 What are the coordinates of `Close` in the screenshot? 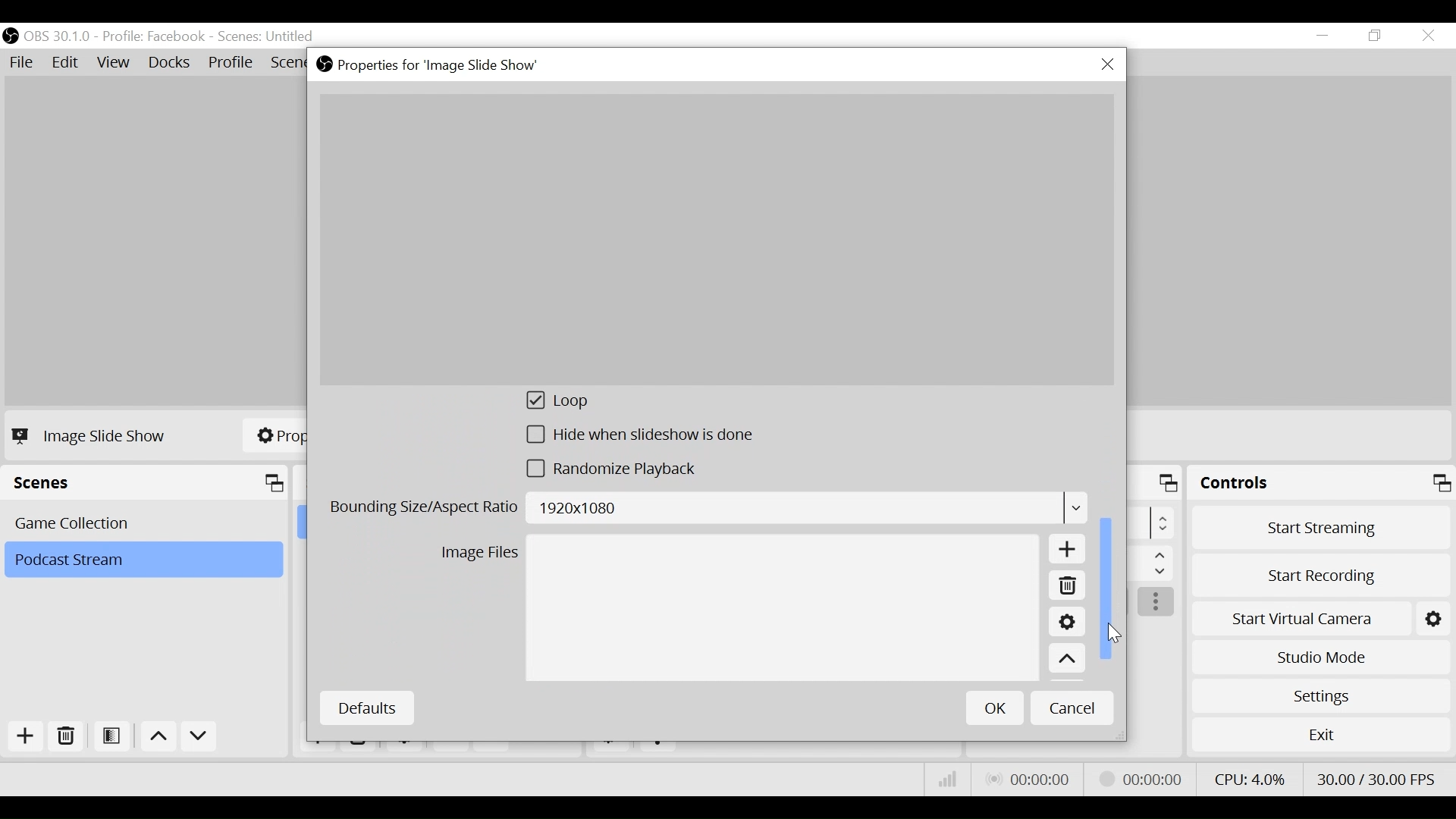 It's located at (1427, 36).